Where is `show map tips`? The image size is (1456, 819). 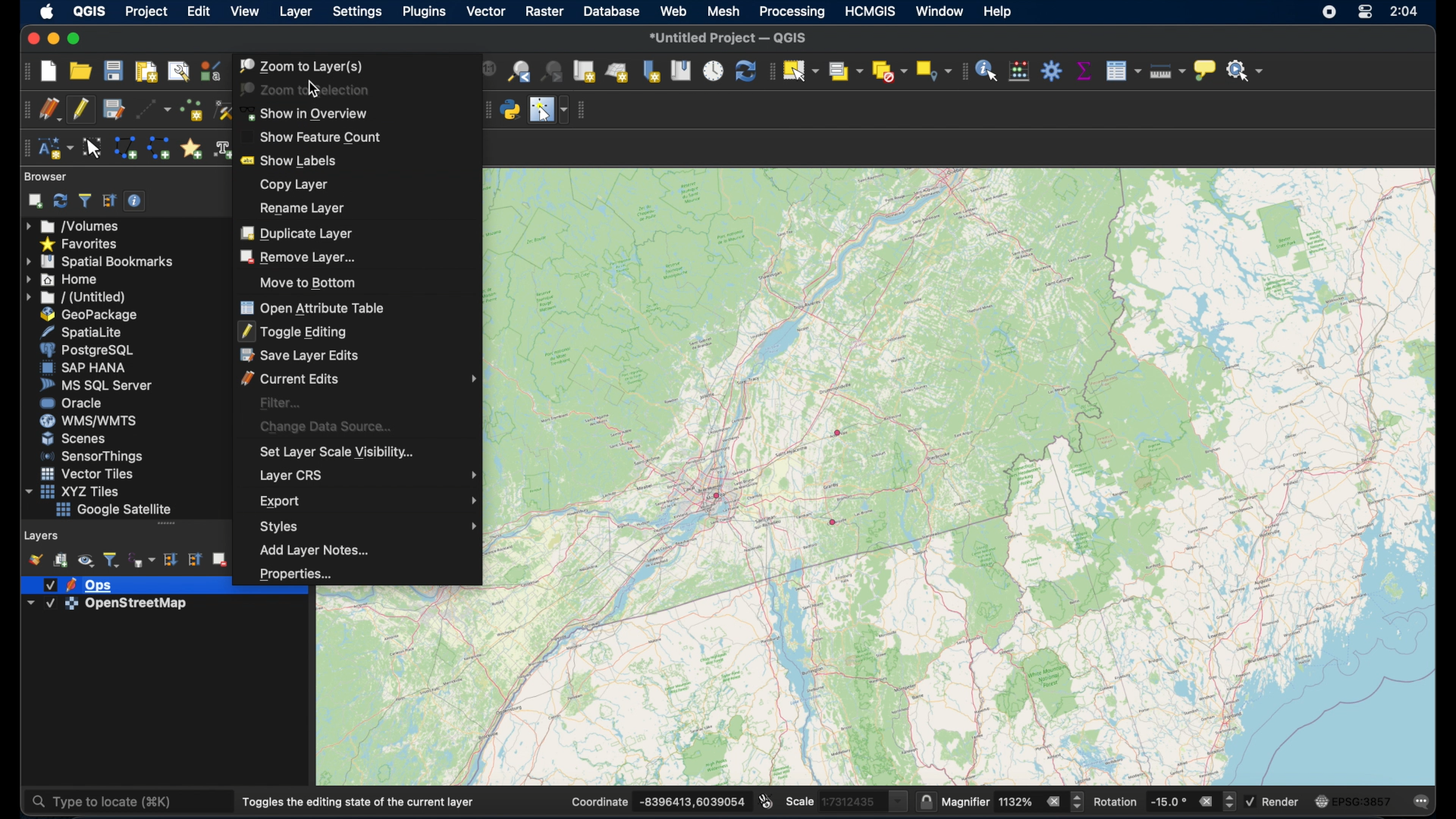 show map tips is located at coordinates (1205, 70).